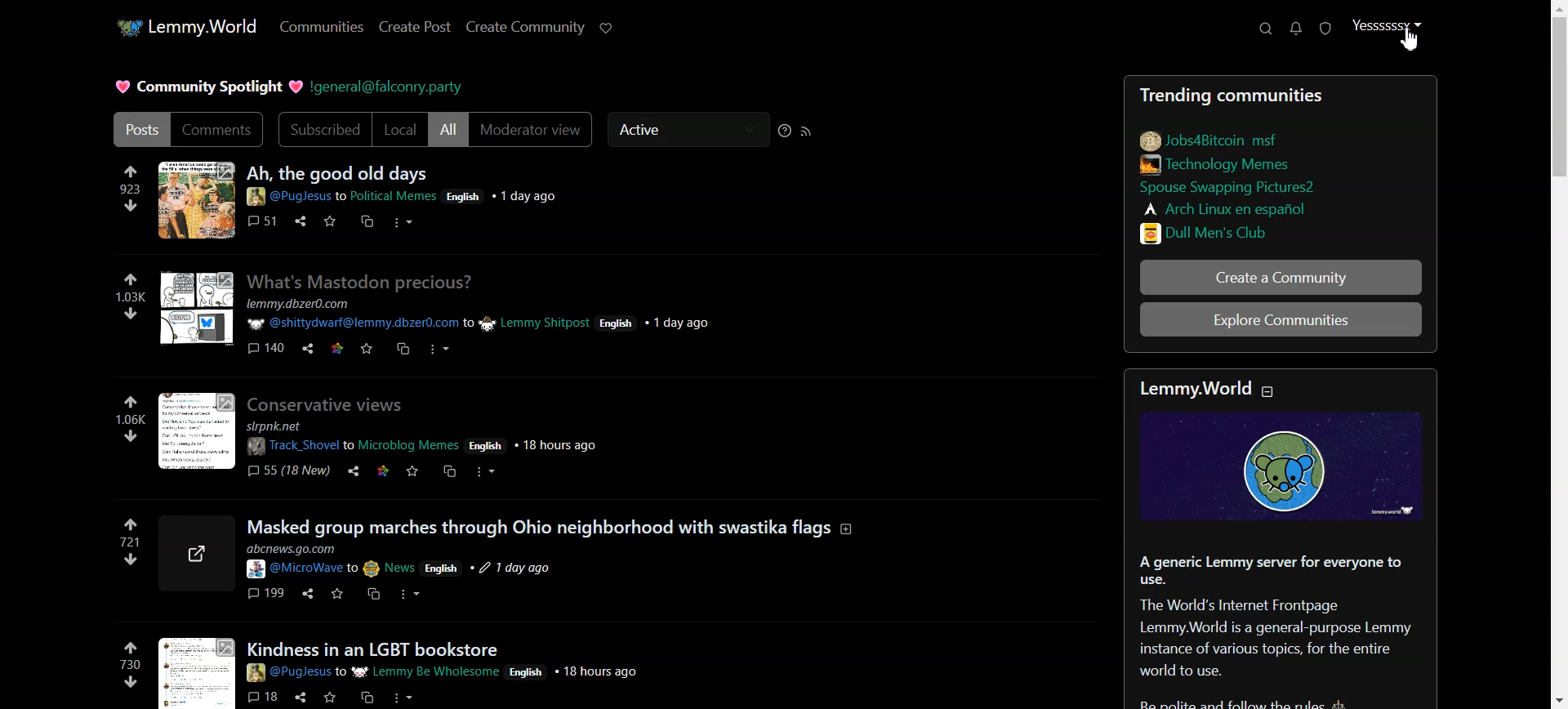  I want to click on link, so click(1231, 185).